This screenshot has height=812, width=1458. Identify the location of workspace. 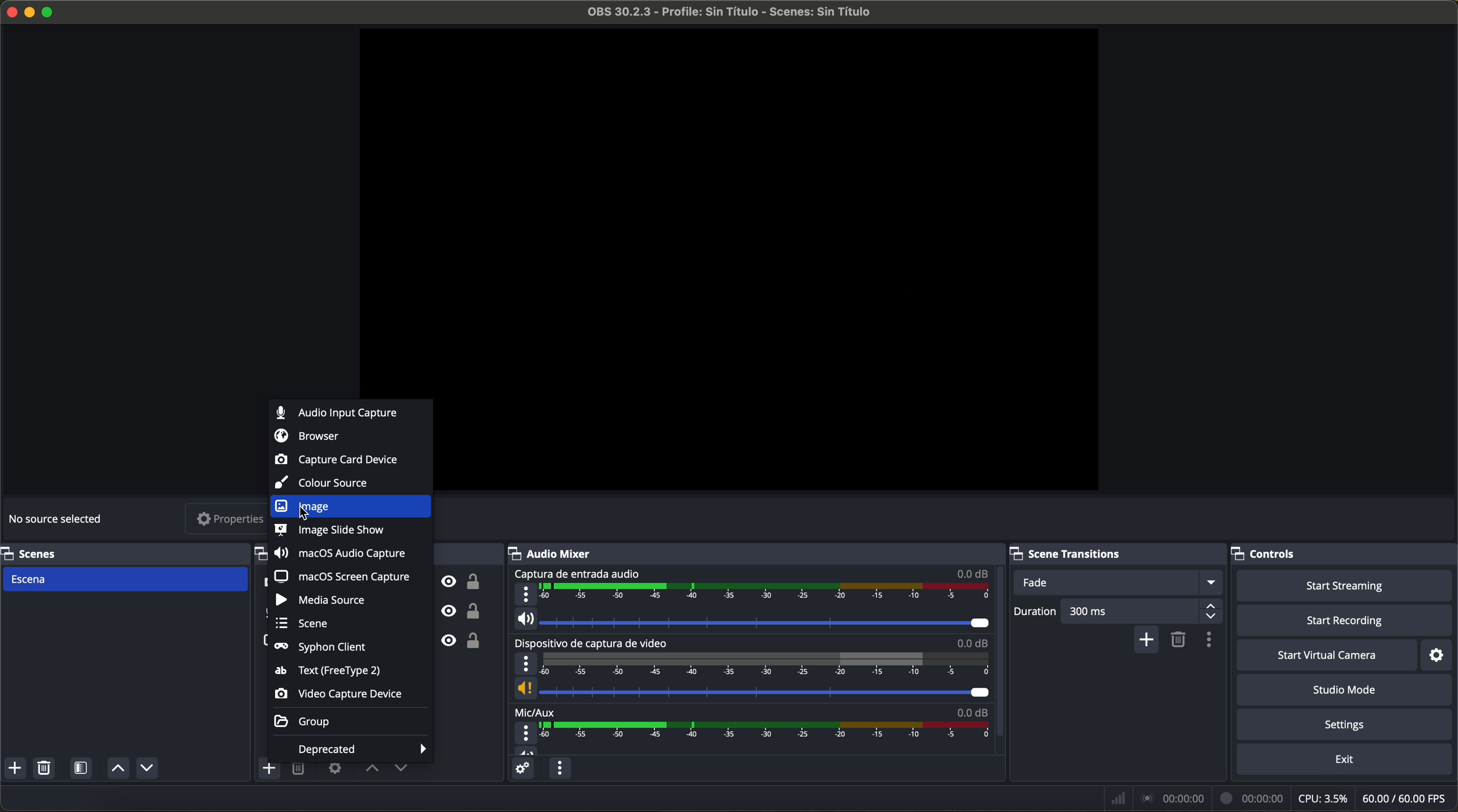
(729, 210).